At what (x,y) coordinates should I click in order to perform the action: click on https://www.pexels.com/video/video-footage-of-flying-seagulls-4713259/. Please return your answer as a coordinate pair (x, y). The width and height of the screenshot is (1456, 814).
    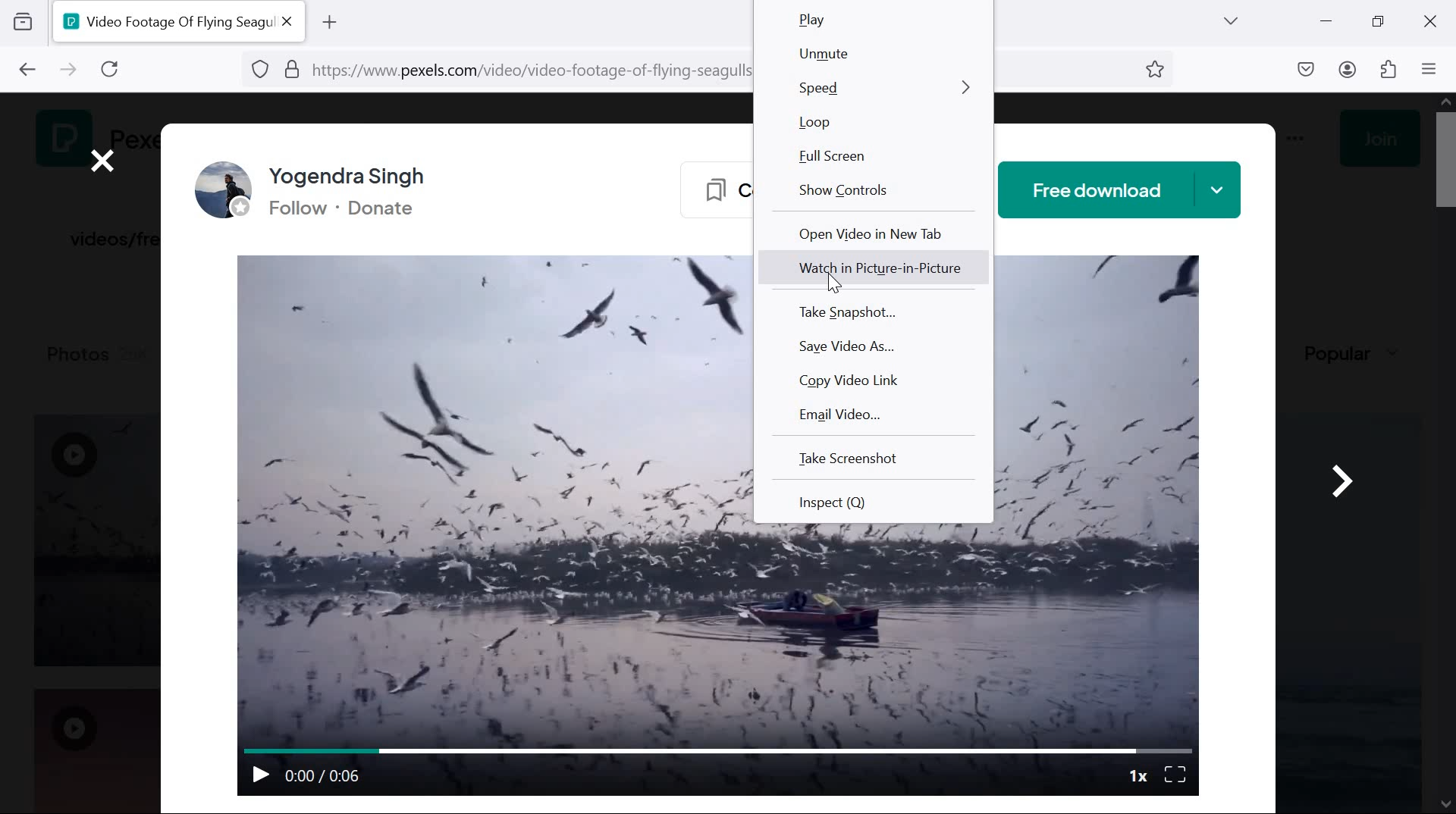
    Looking at the image, I should click on (535, 73).